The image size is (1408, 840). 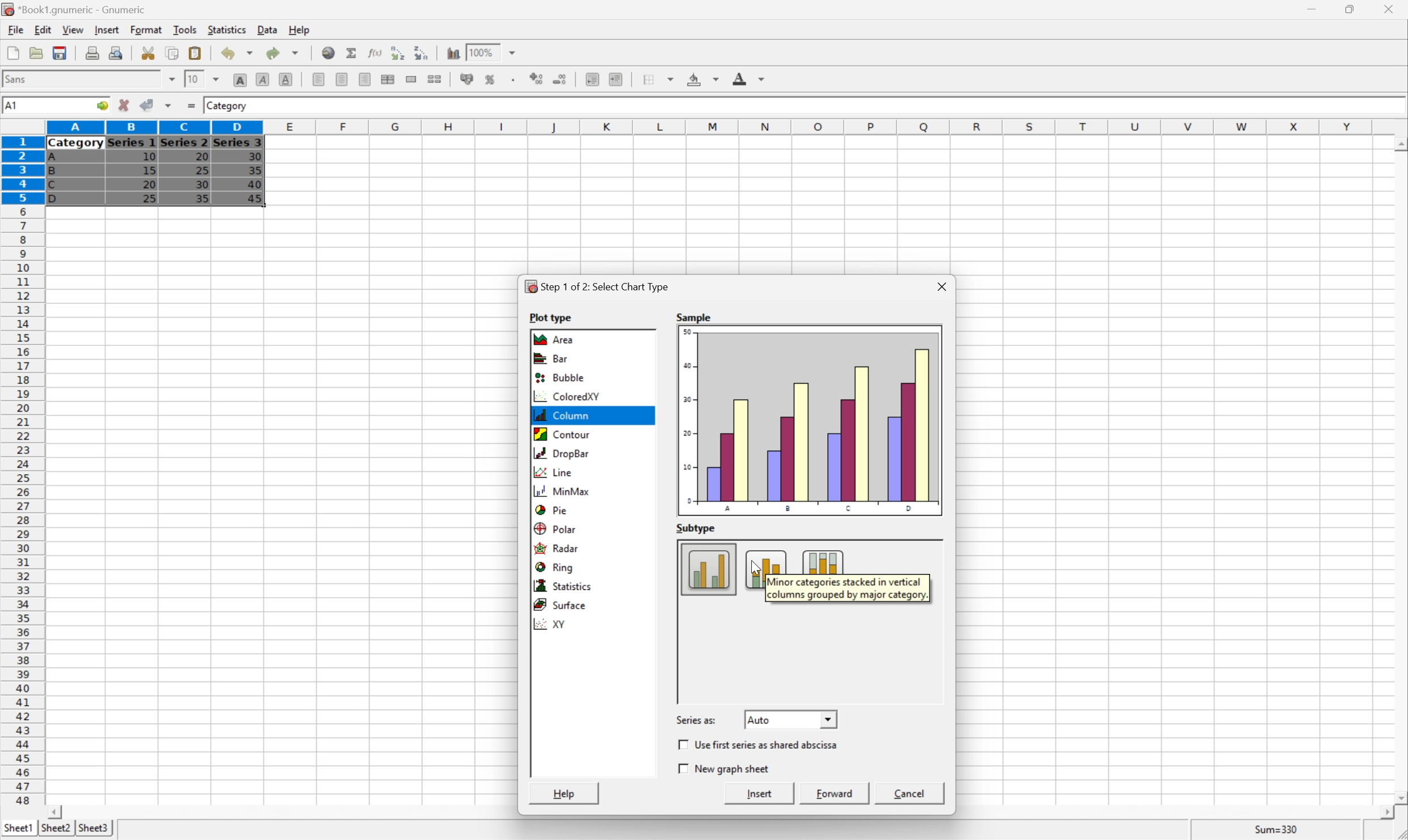 What do you see at coordinates (397, 53) in the screenshot?
I see `Sort the selected region in ascending order based on the first column selected` at bounding box center [397, 53].